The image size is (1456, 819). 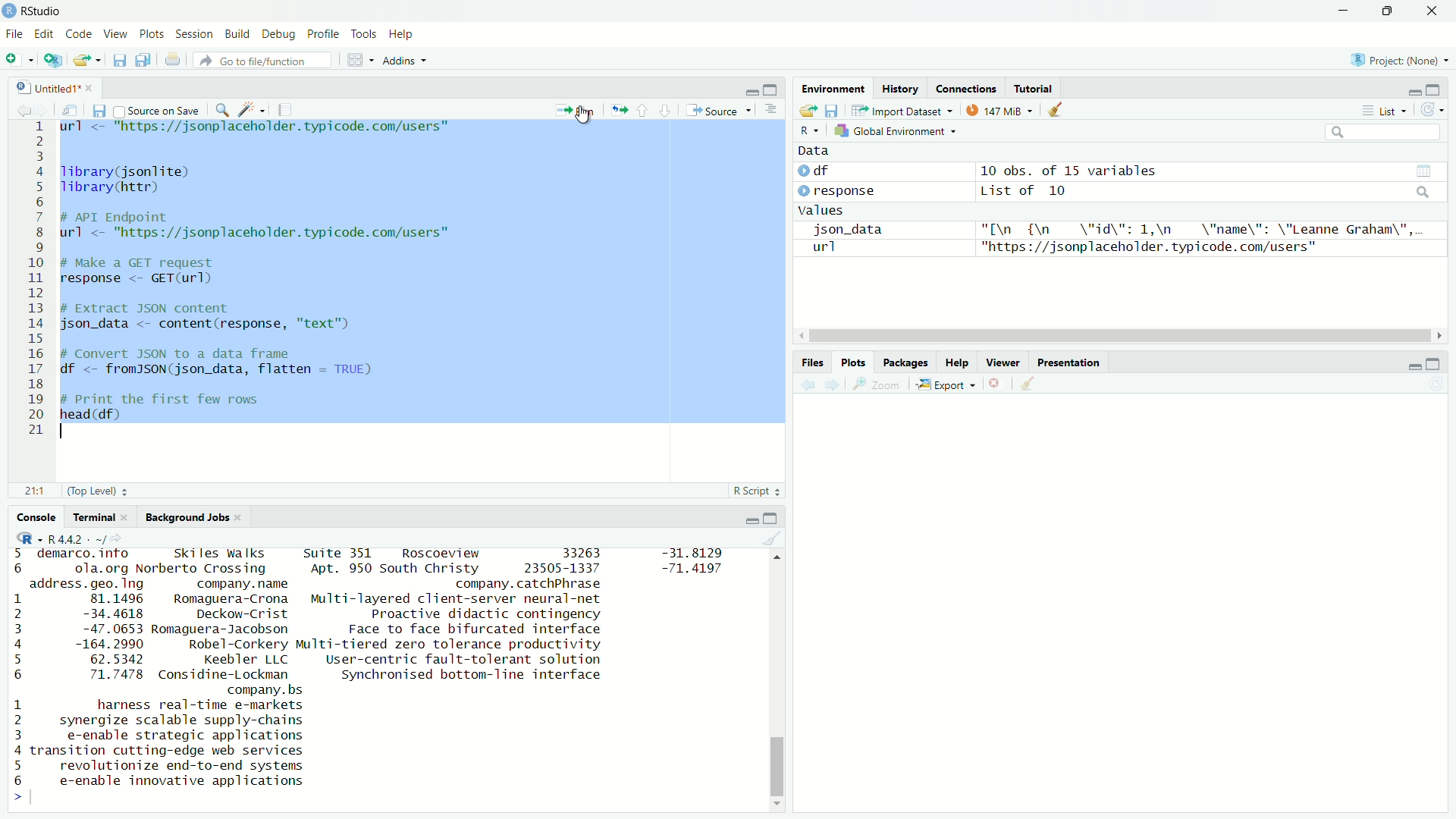 What do you see at coordinates (1028, 385) in the screenshot?
I see `Clear objects` at bounding box center [1028, 385].